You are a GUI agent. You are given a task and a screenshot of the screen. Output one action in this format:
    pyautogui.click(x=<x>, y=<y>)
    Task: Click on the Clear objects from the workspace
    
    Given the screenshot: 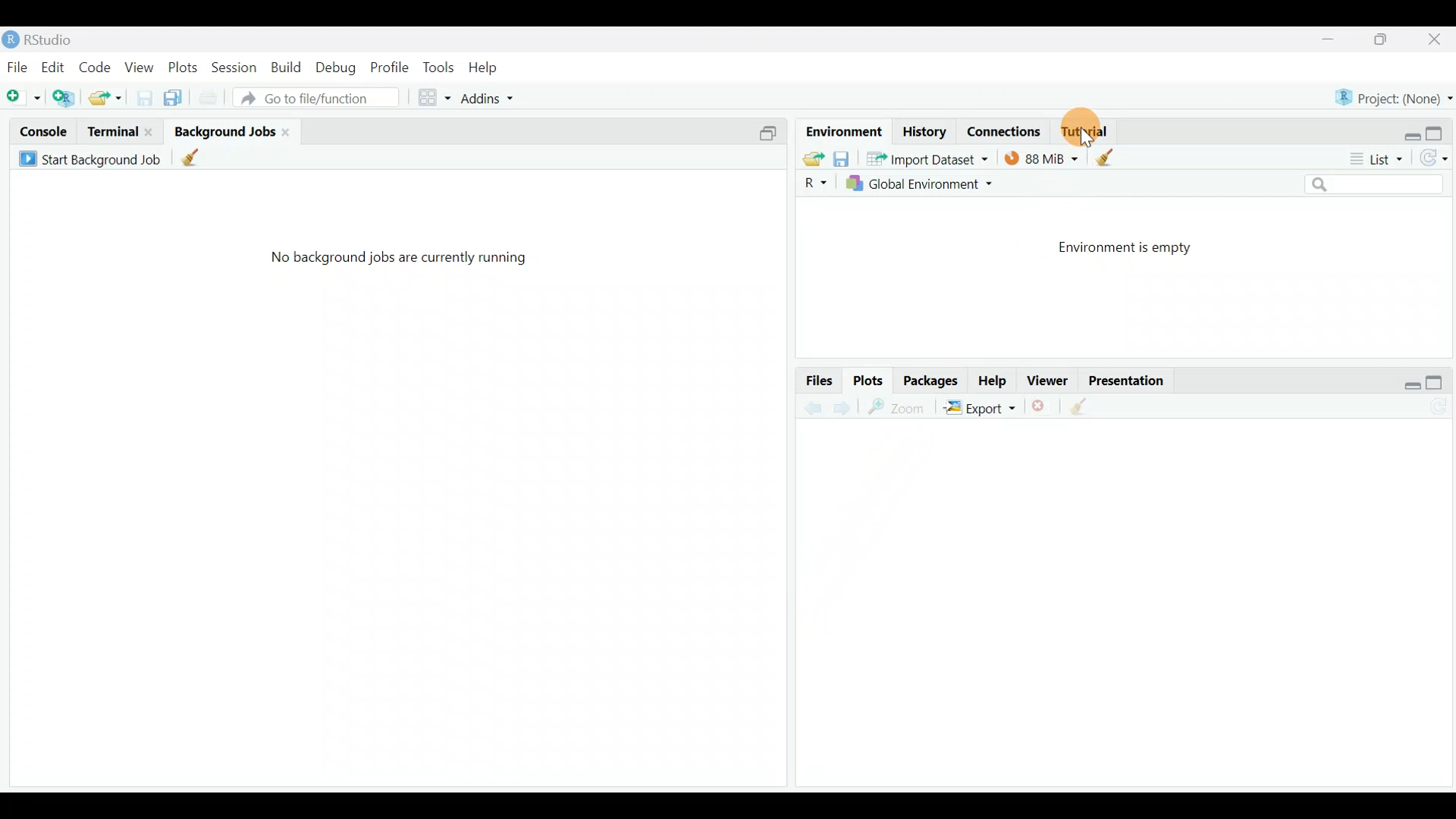 What is the action you would take?
    pyautogui.click(x=1110, y=158)
    